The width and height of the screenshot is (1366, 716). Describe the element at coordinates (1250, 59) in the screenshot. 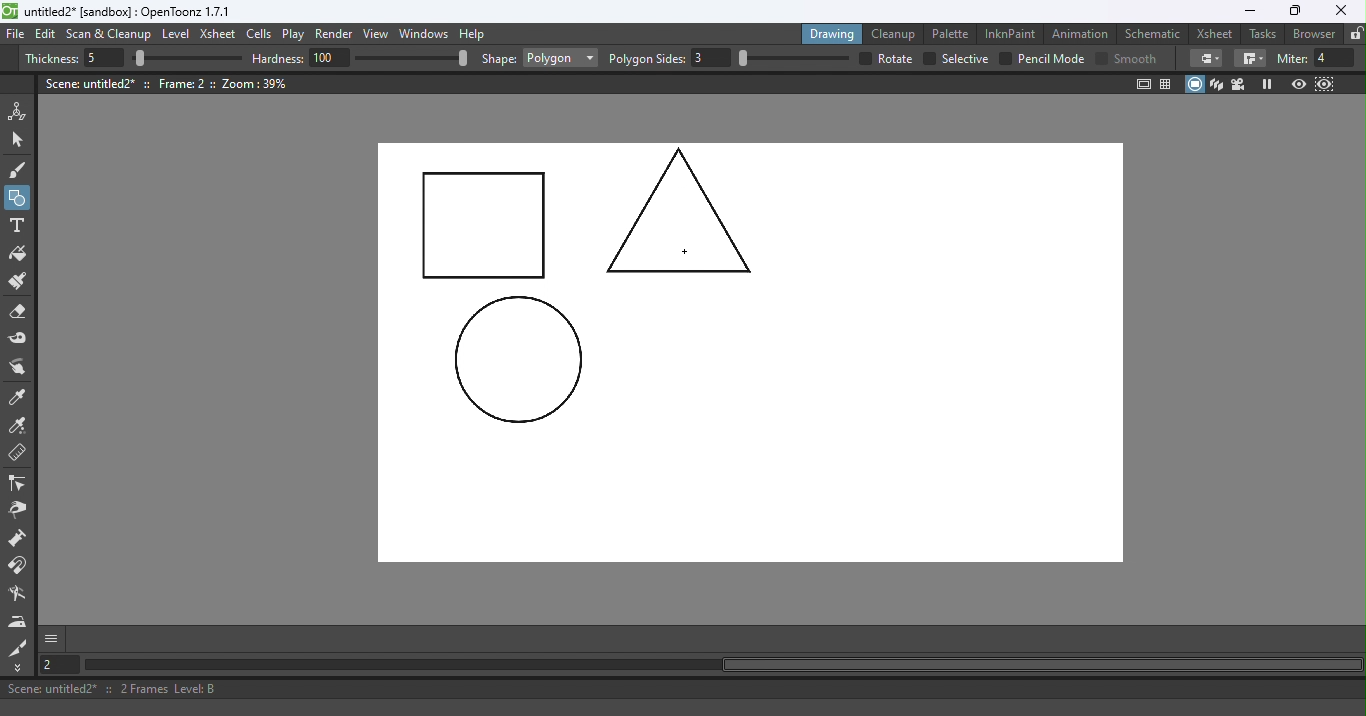

I see `Border corners` at that location.